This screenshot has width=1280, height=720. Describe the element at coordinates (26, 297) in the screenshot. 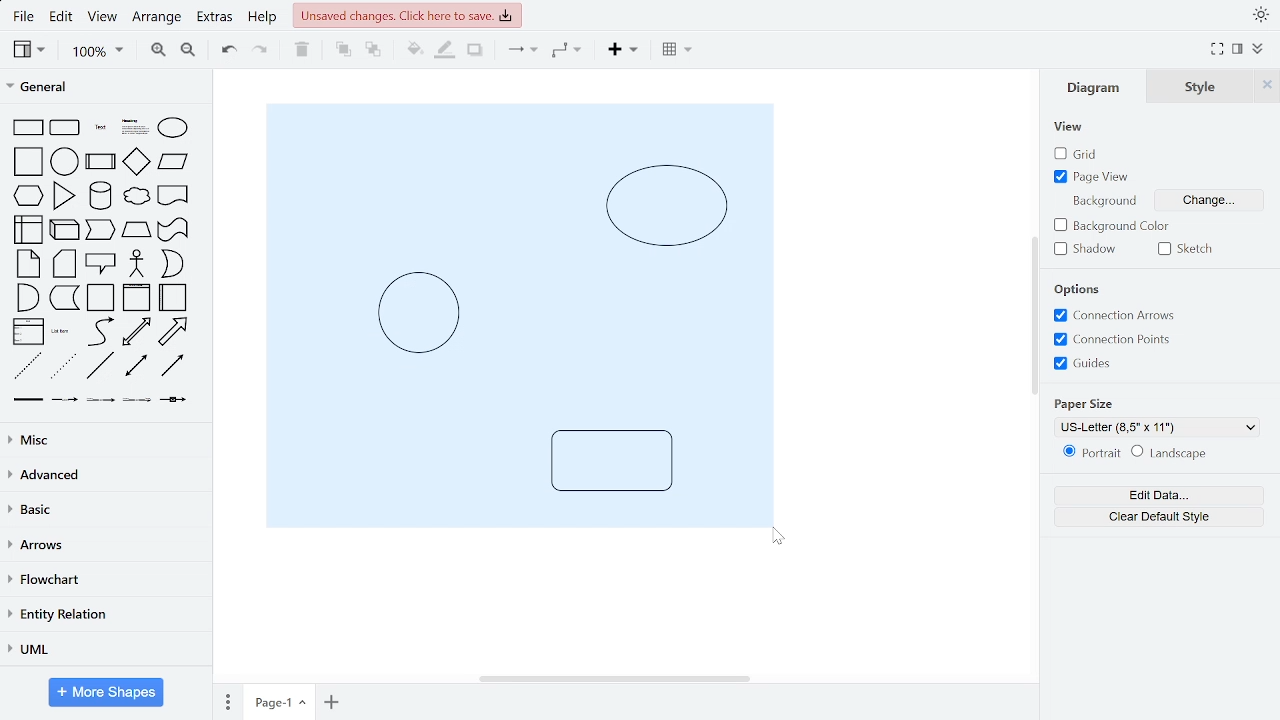

I see `and` at that location.